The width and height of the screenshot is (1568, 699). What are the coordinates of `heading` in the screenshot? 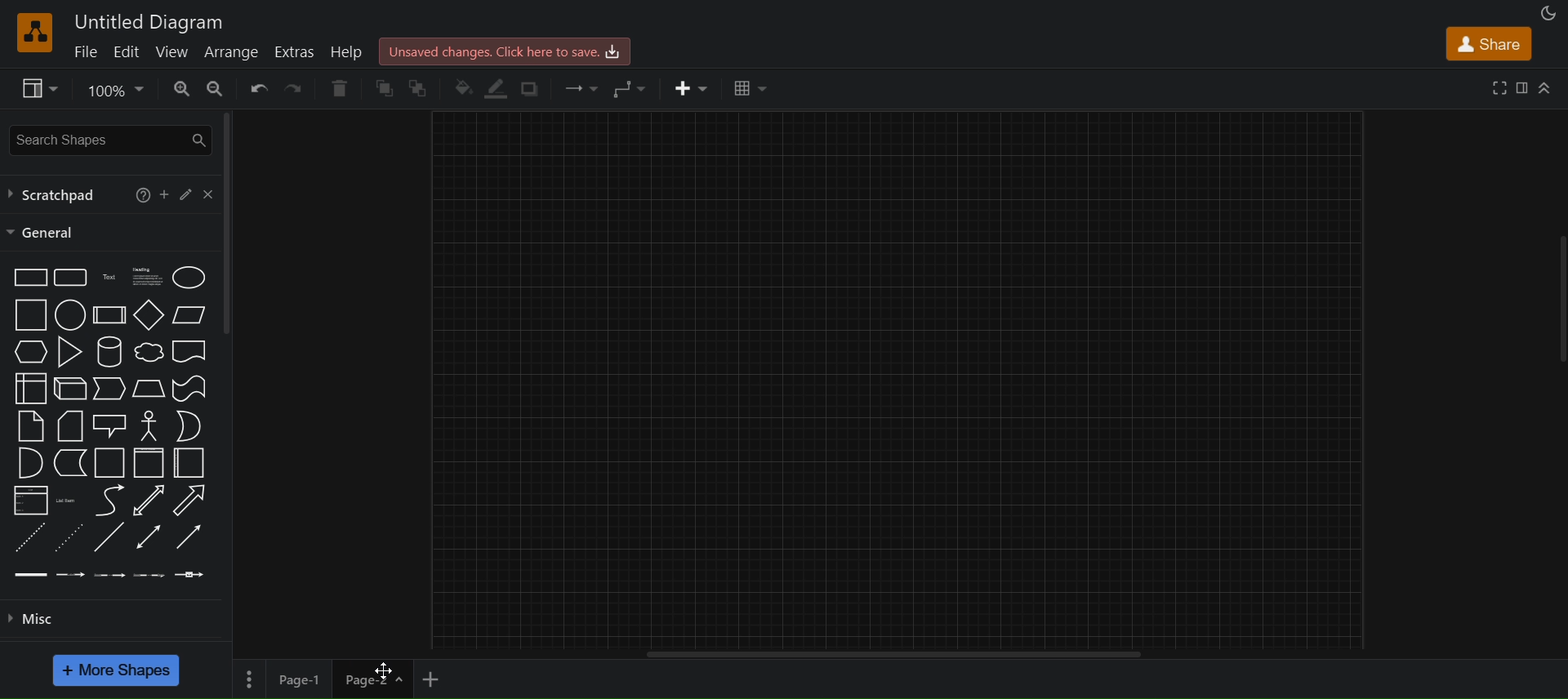 It's located at (146, 276).